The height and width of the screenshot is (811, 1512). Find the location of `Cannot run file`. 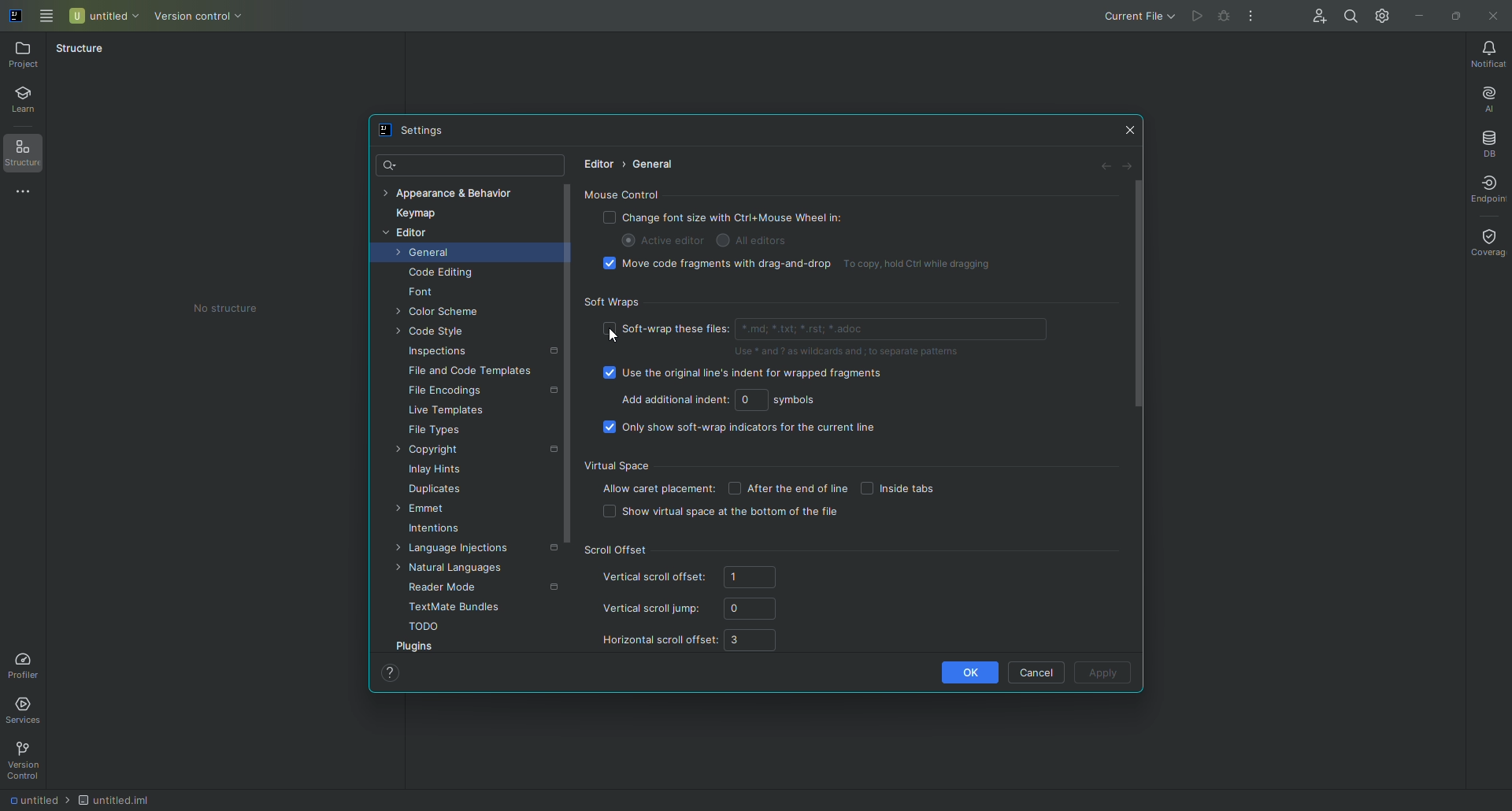

Cannot run file is located at coordinates (1196, 14).